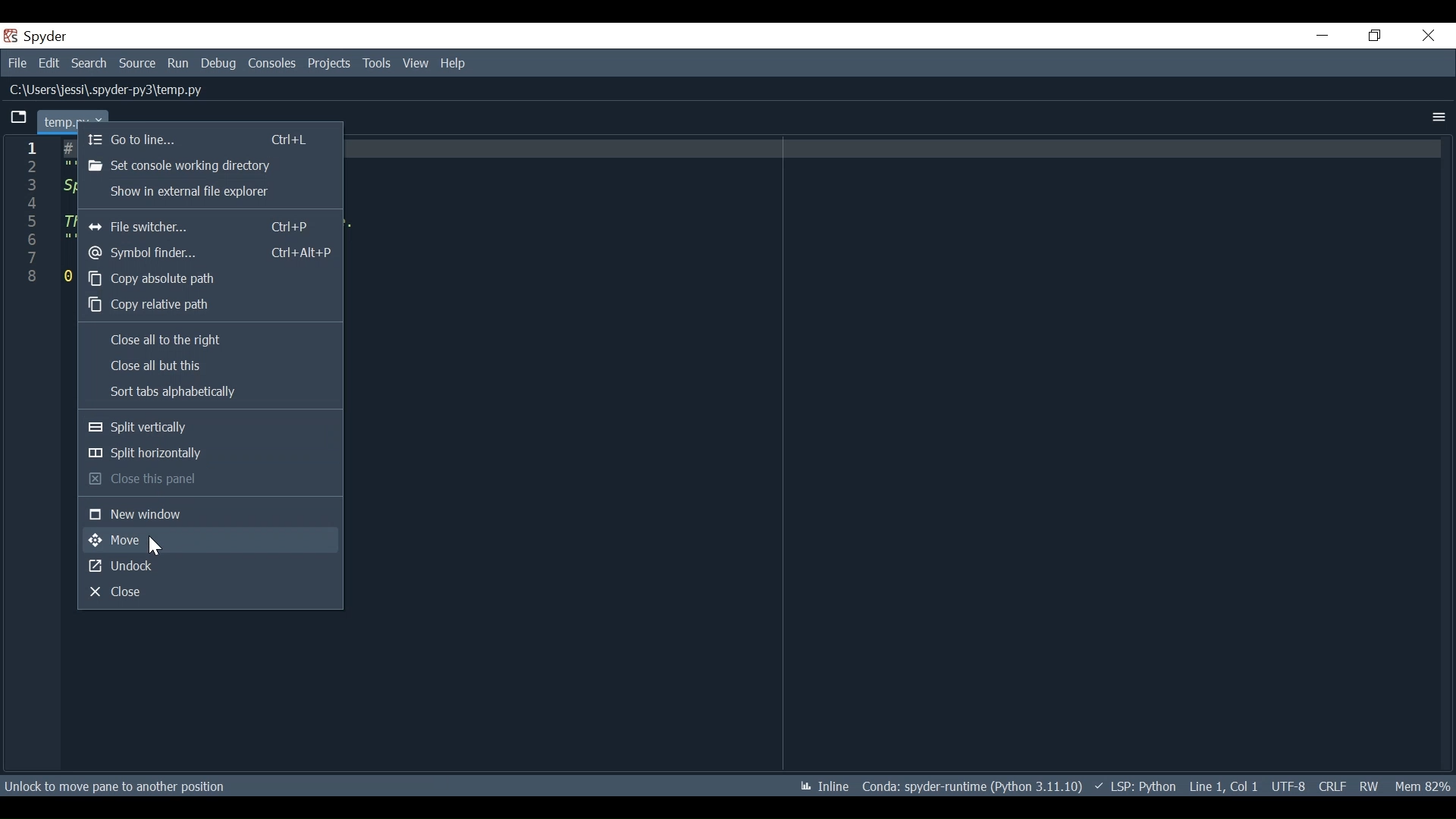 Image resolution: width=1456 pixels, height=819 pixels. Describe the element at coordinates (271, 64) in the screenshot. I see `Consoles` at that location.